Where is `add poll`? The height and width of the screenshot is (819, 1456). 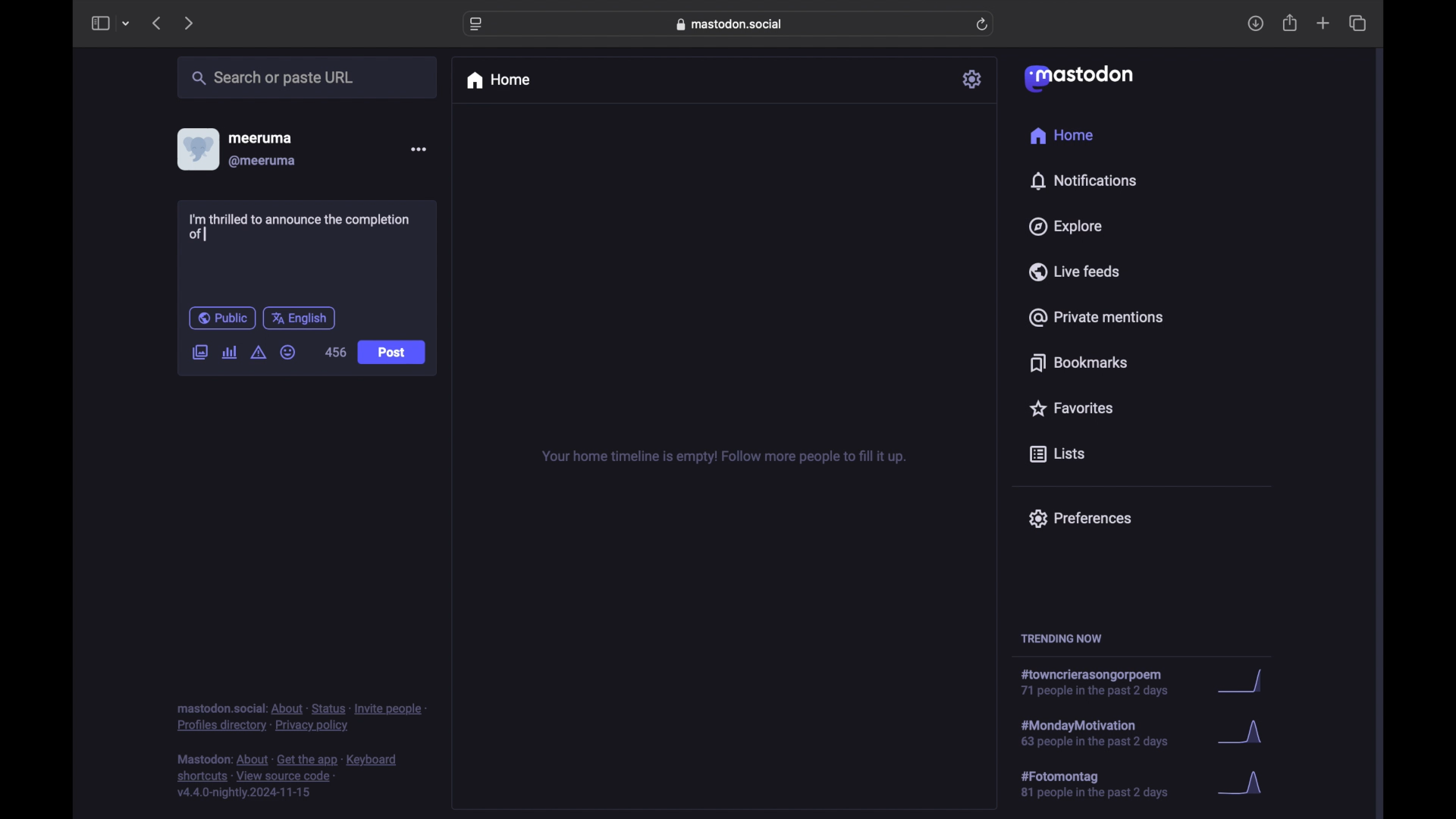 add poll is located at coordinates (231, 353).